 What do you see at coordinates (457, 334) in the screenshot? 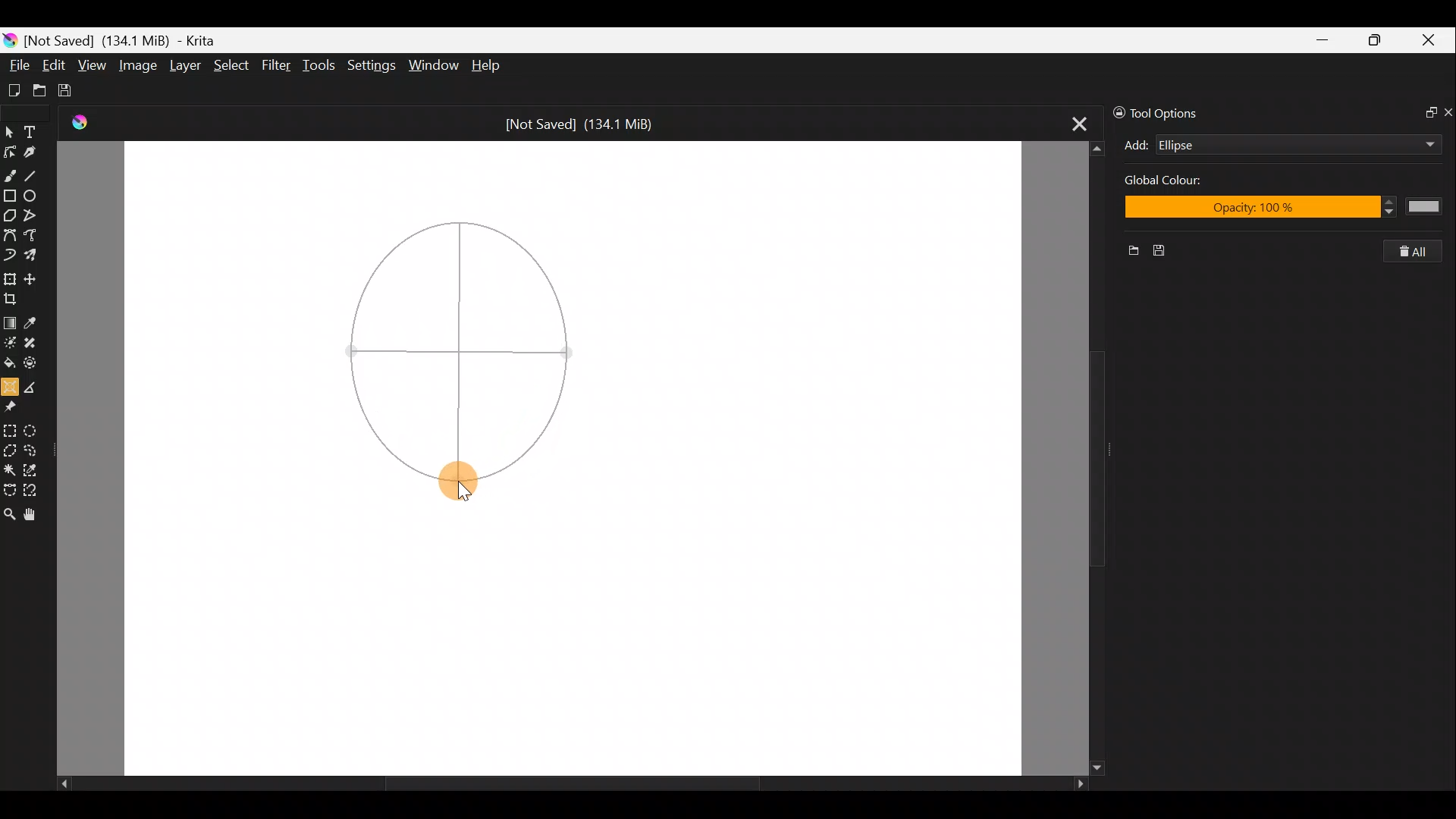
I see `Ellipse on Canvas` at bounding box center [457, 334].